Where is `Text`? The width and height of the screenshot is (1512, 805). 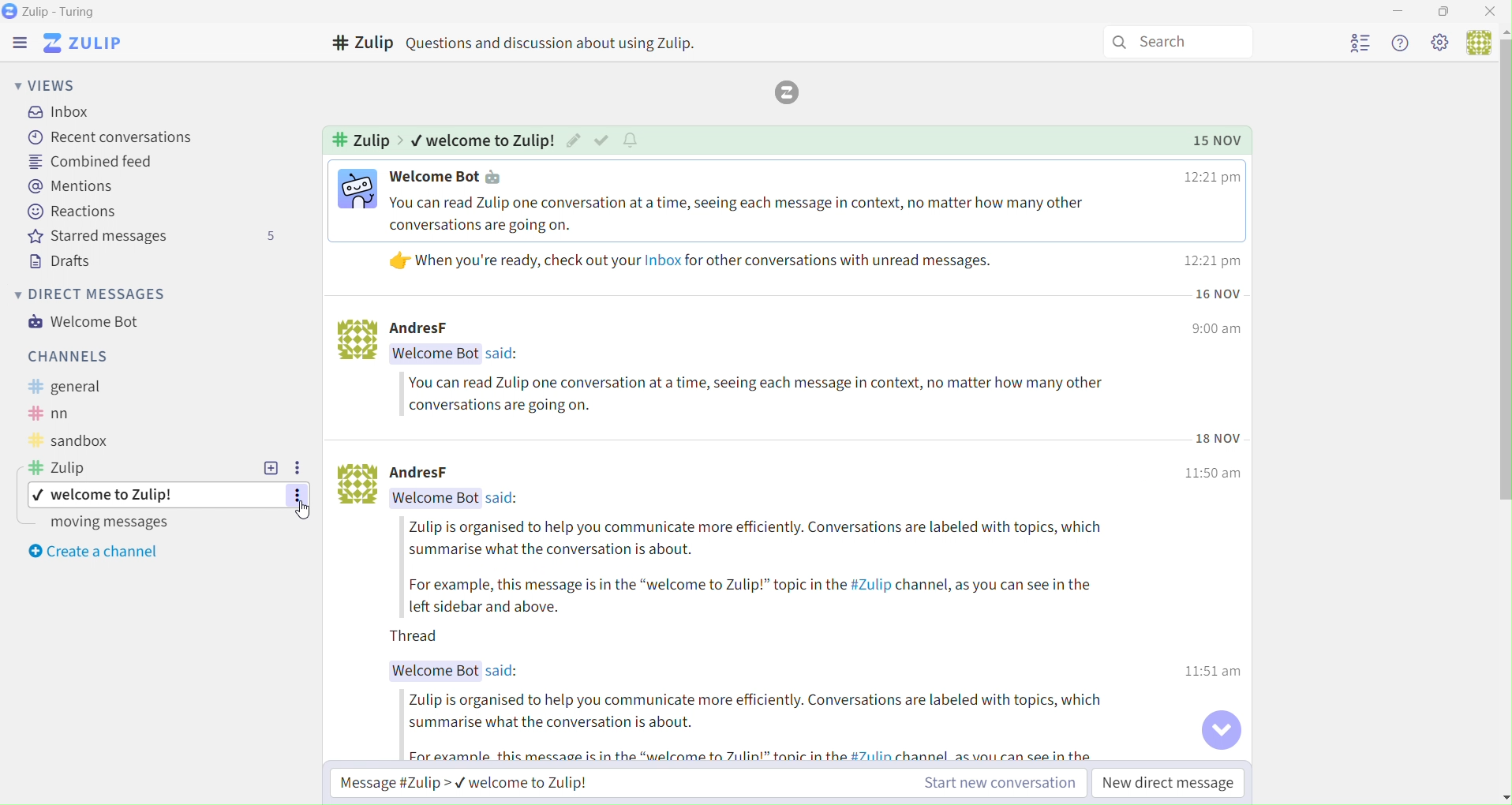 Text is located at coordinates (69, 413).